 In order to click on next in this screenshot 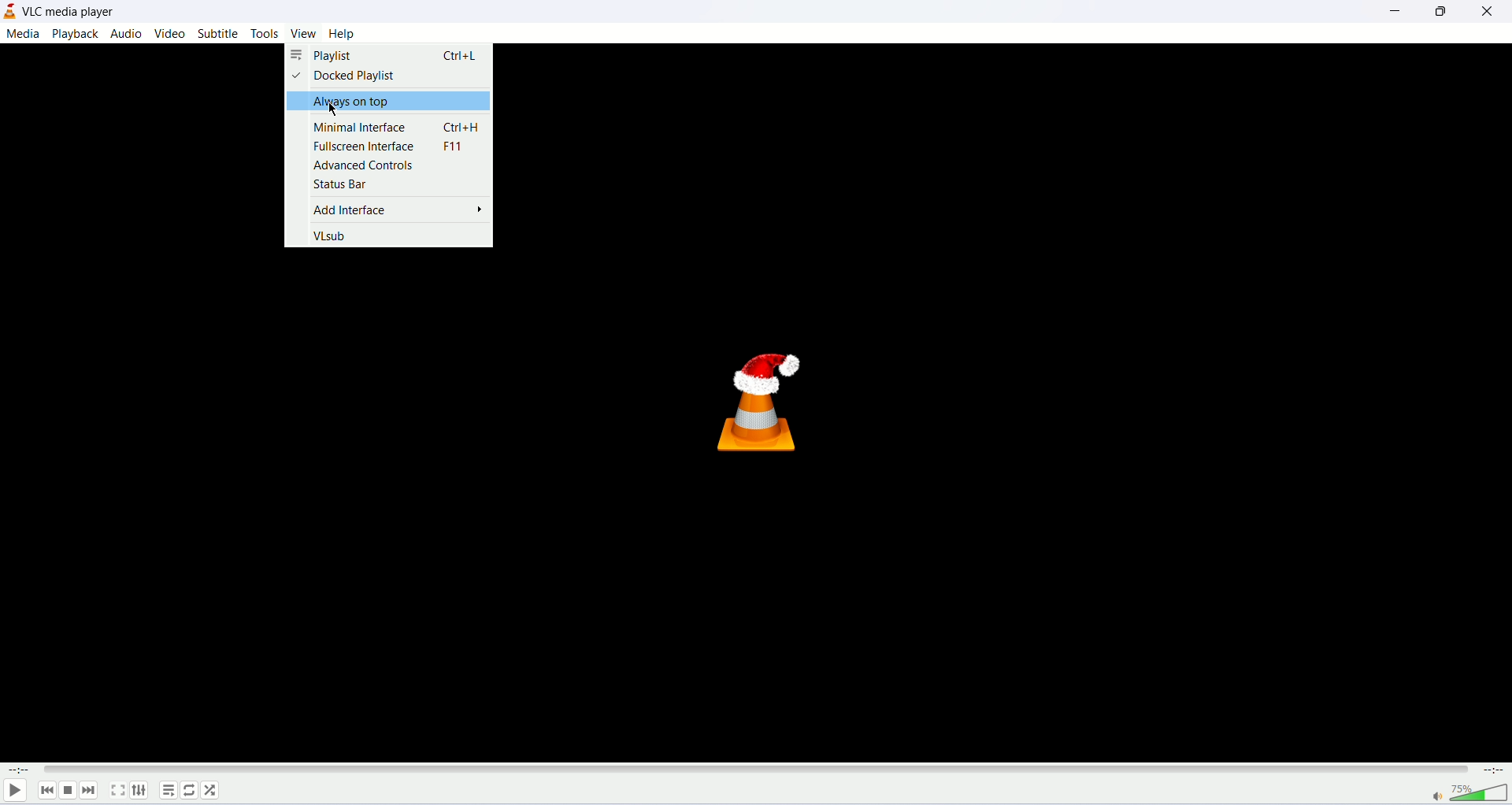, I will do `click(90, 790)`.